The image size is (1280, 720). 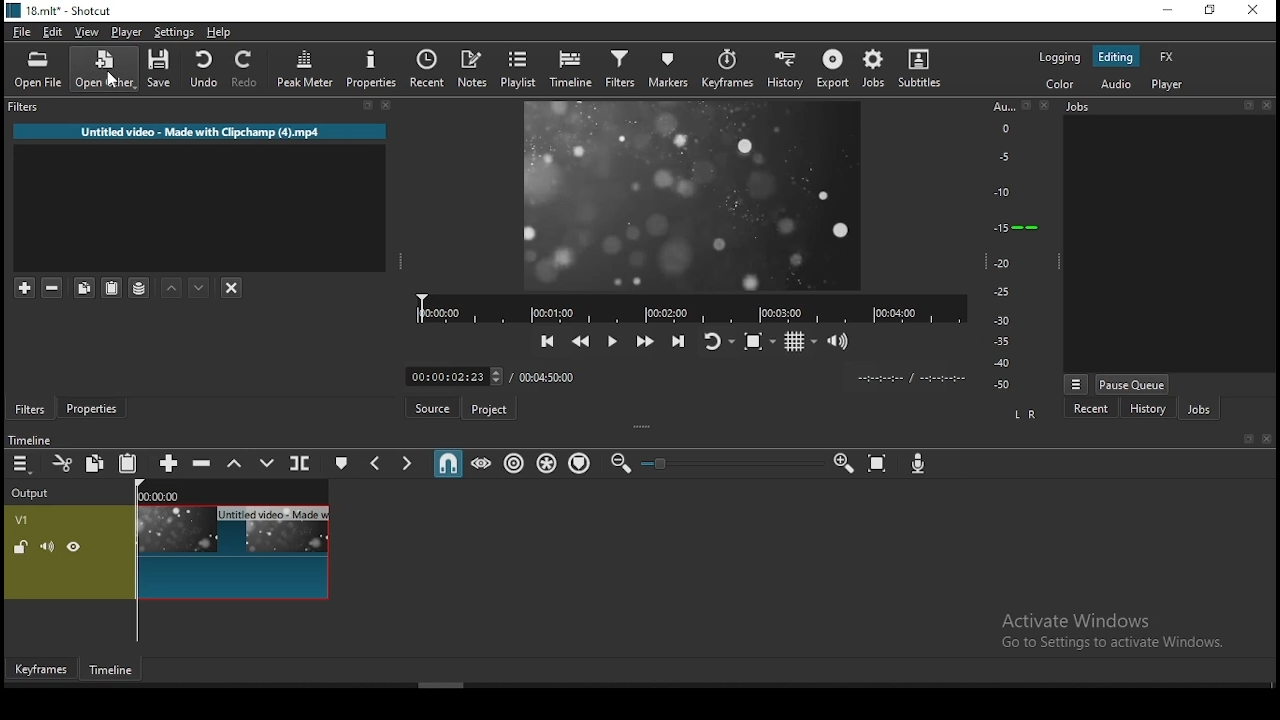 What do you see at coordinates (875, 69) in the screenshot?
I see `jobs` at bounding box center [875, 69].